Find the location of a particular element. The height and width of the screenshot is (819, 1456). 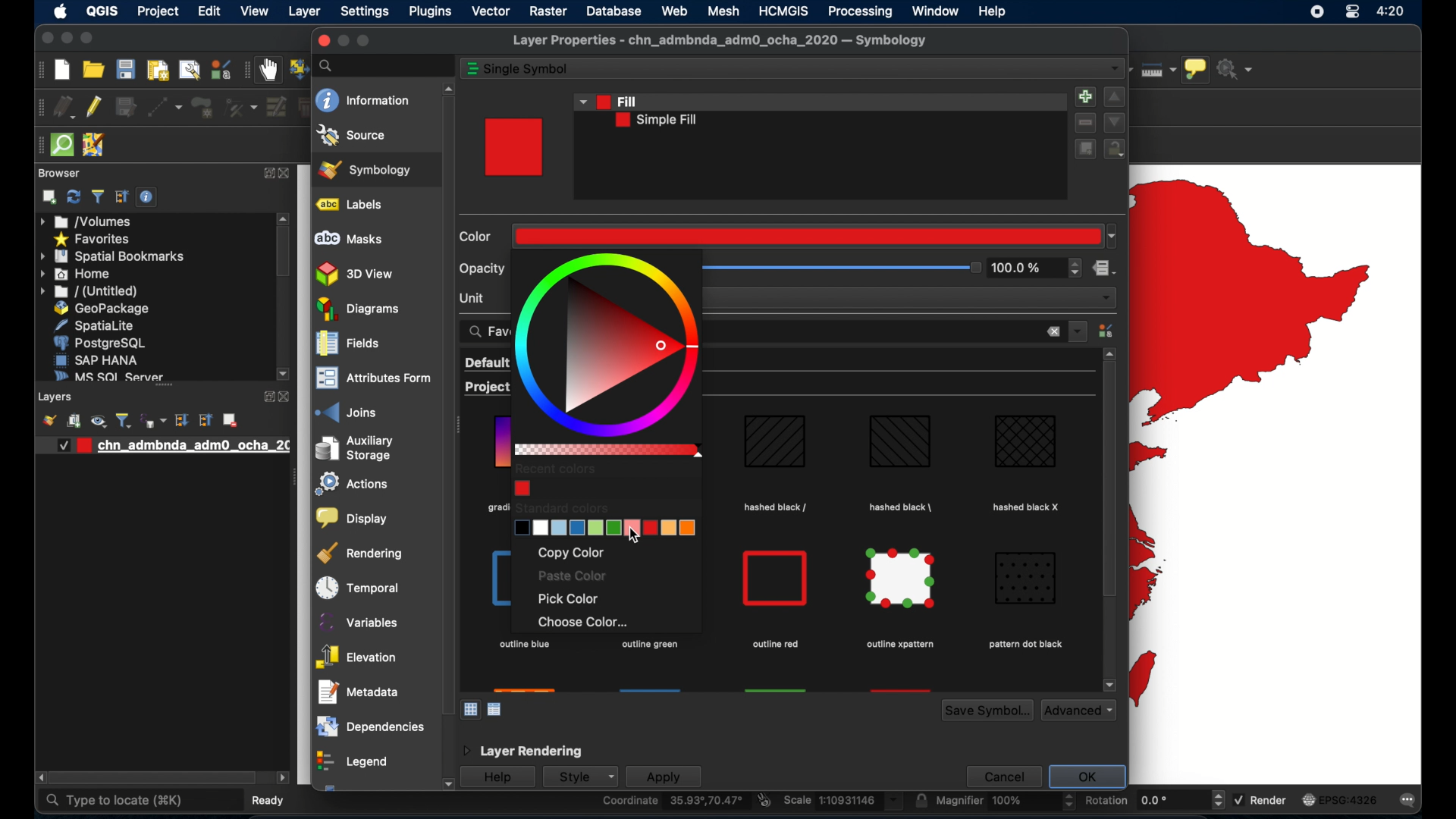

help is located at coordinates (994, 11).